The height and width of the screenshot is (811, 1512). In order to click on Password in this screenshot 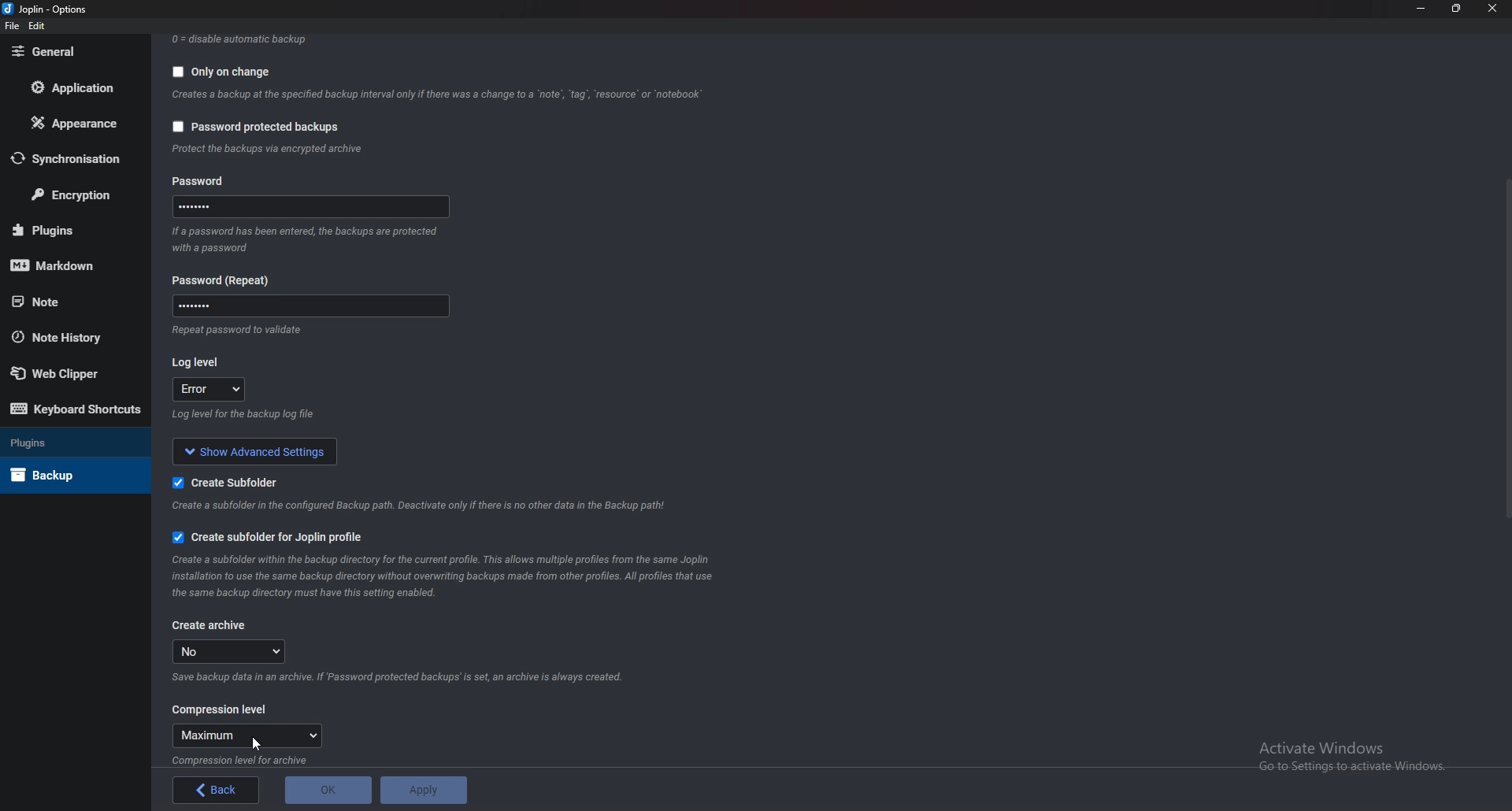, I will do `click(309, 306)`.